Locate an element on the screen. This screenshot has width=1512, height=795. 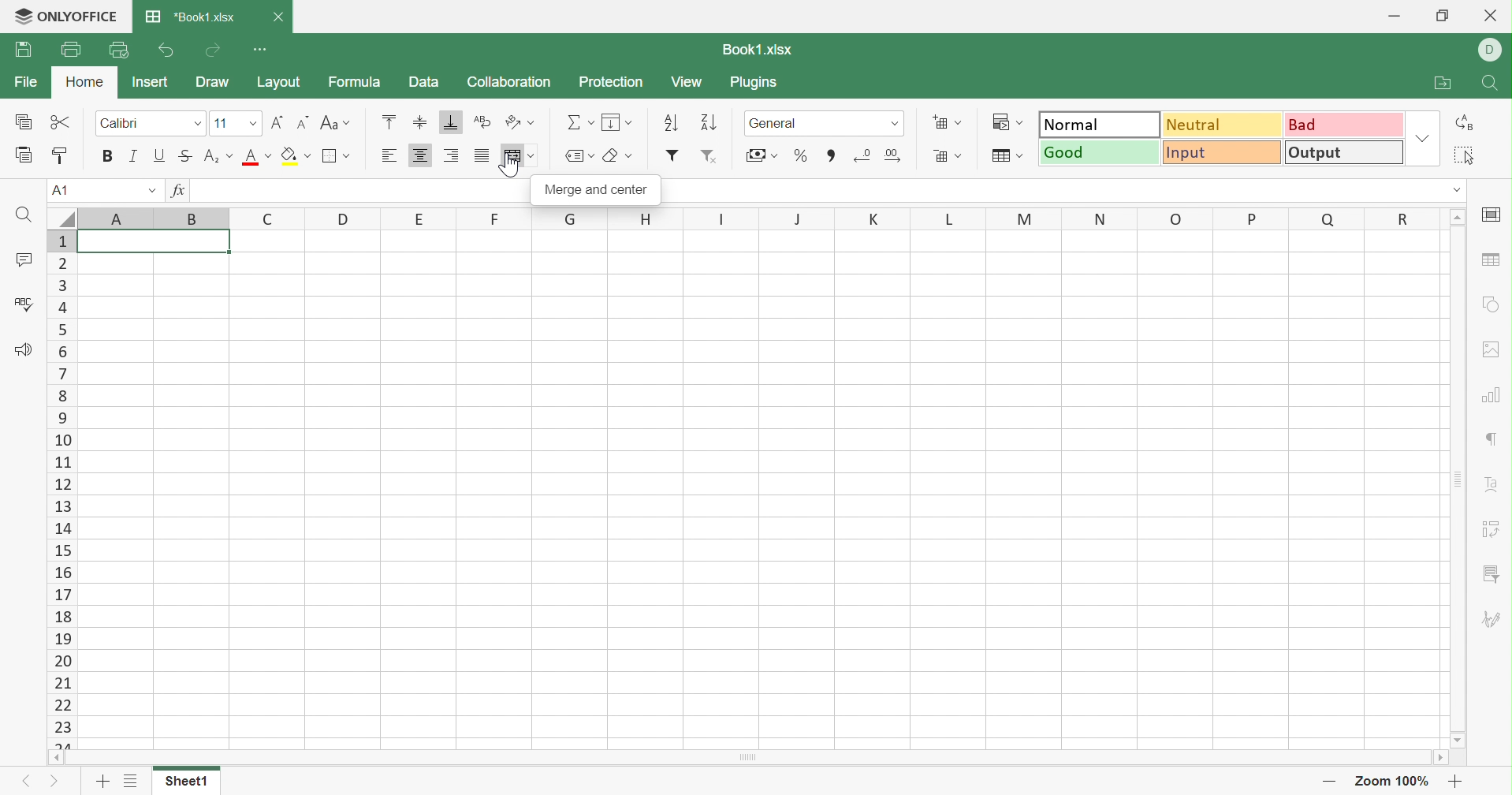
Previous is located at coordinates (31, 780).